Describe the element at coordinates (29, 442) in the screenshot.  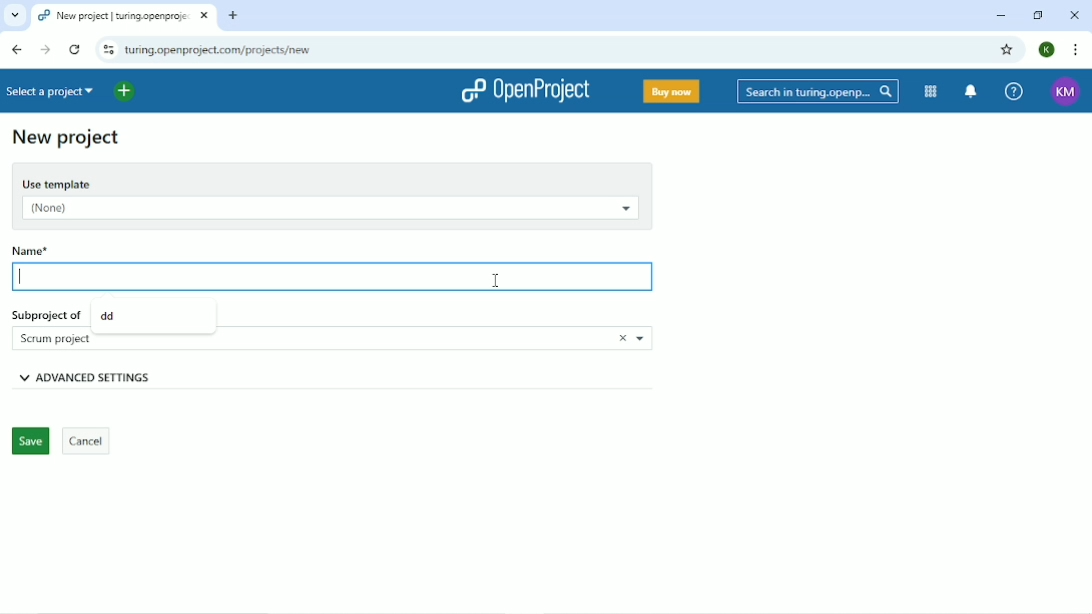
I see `Save` at that location.